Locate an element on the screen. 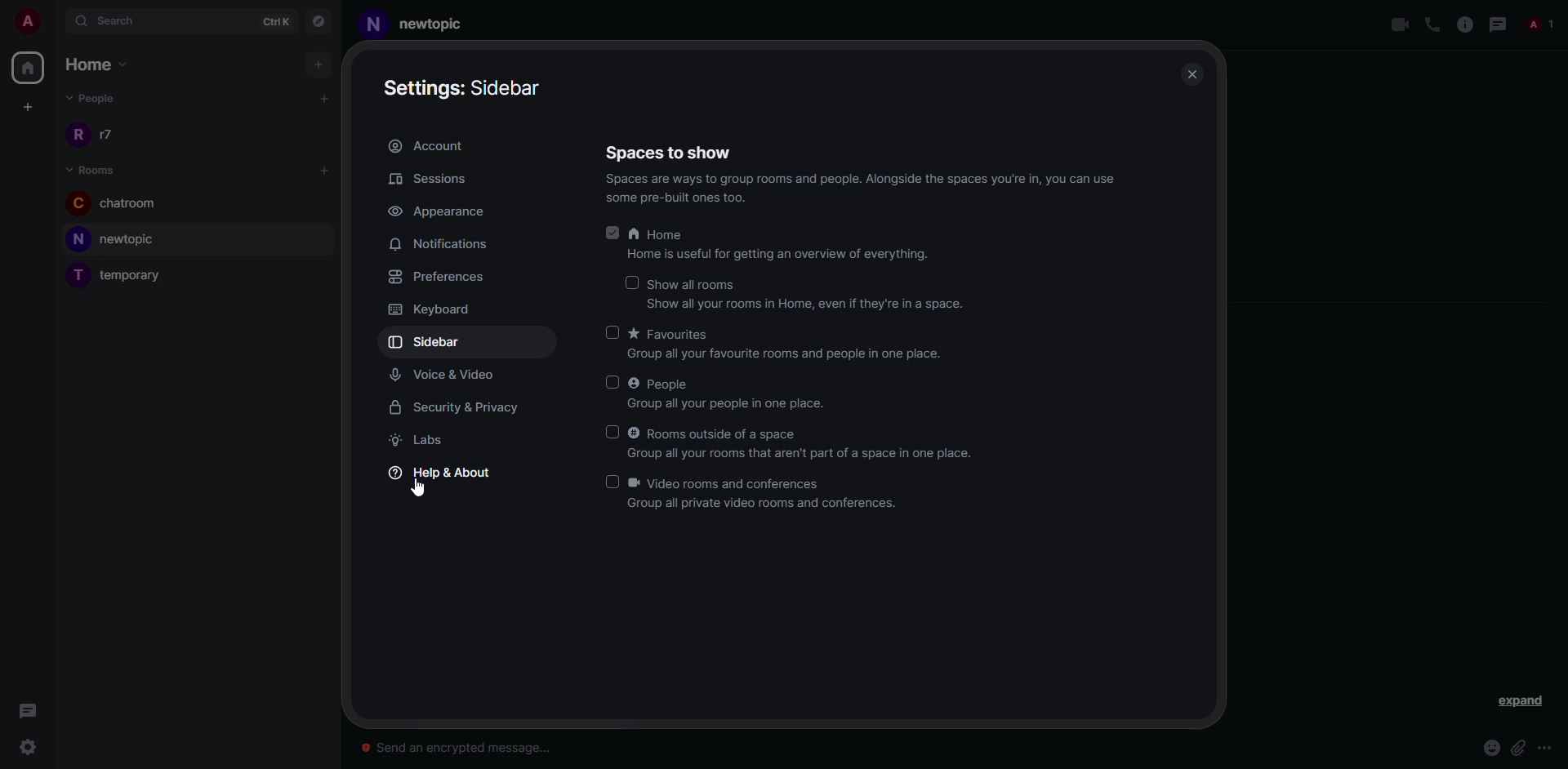 This screenshot has width=1568, height=769. emoji is located at coordinates (1490, 749).